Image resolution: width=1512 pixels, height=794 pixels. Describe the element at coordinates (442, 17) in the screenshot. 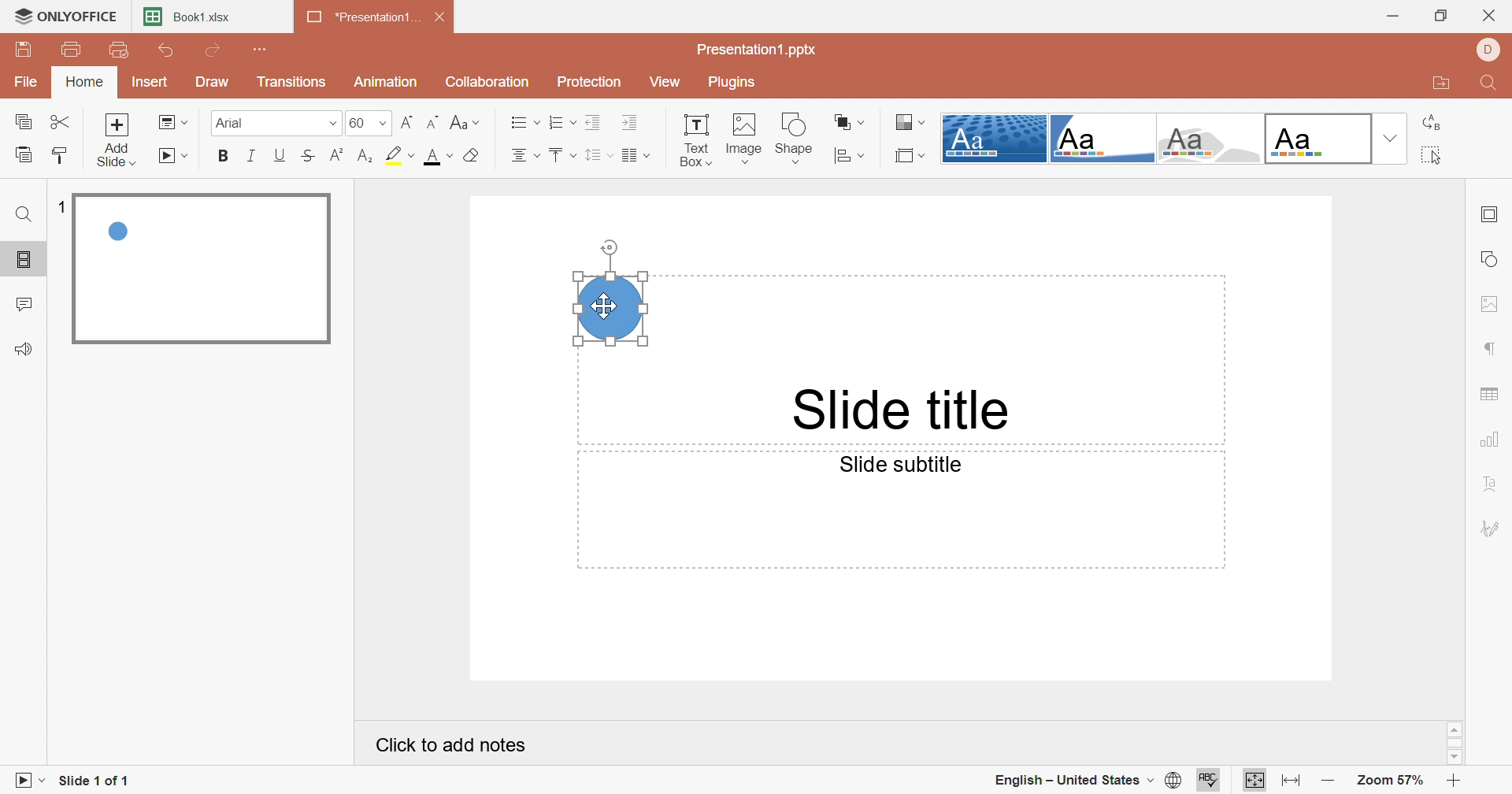

I see `Close` at that location.